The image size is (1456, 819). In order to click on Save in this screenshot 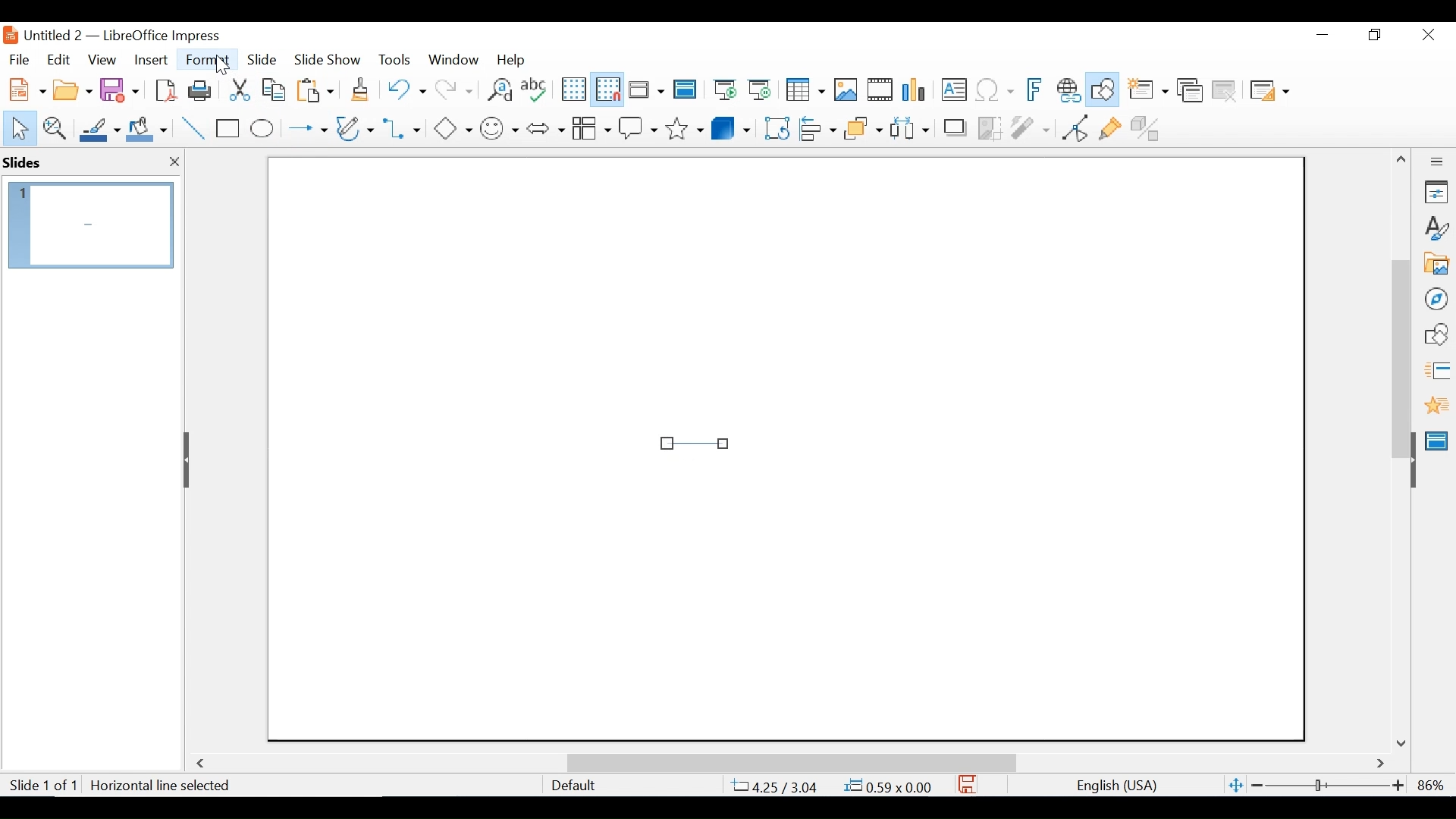, I will do `click(121, 89)`.